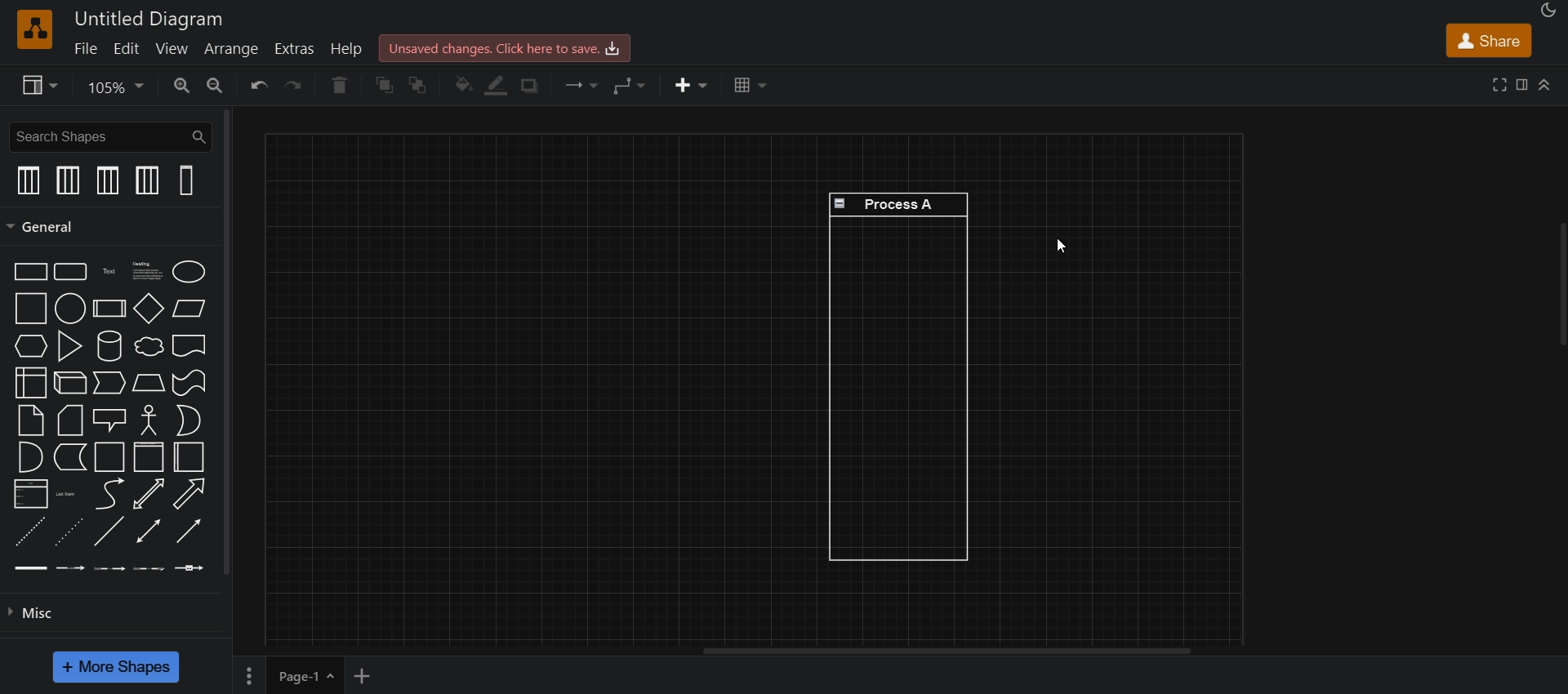 This screenshot has width=1568, height=694. What do you see at coordinates (189, 494) in the screenshot?
I see `arrow` at bounding box center [189, 494].